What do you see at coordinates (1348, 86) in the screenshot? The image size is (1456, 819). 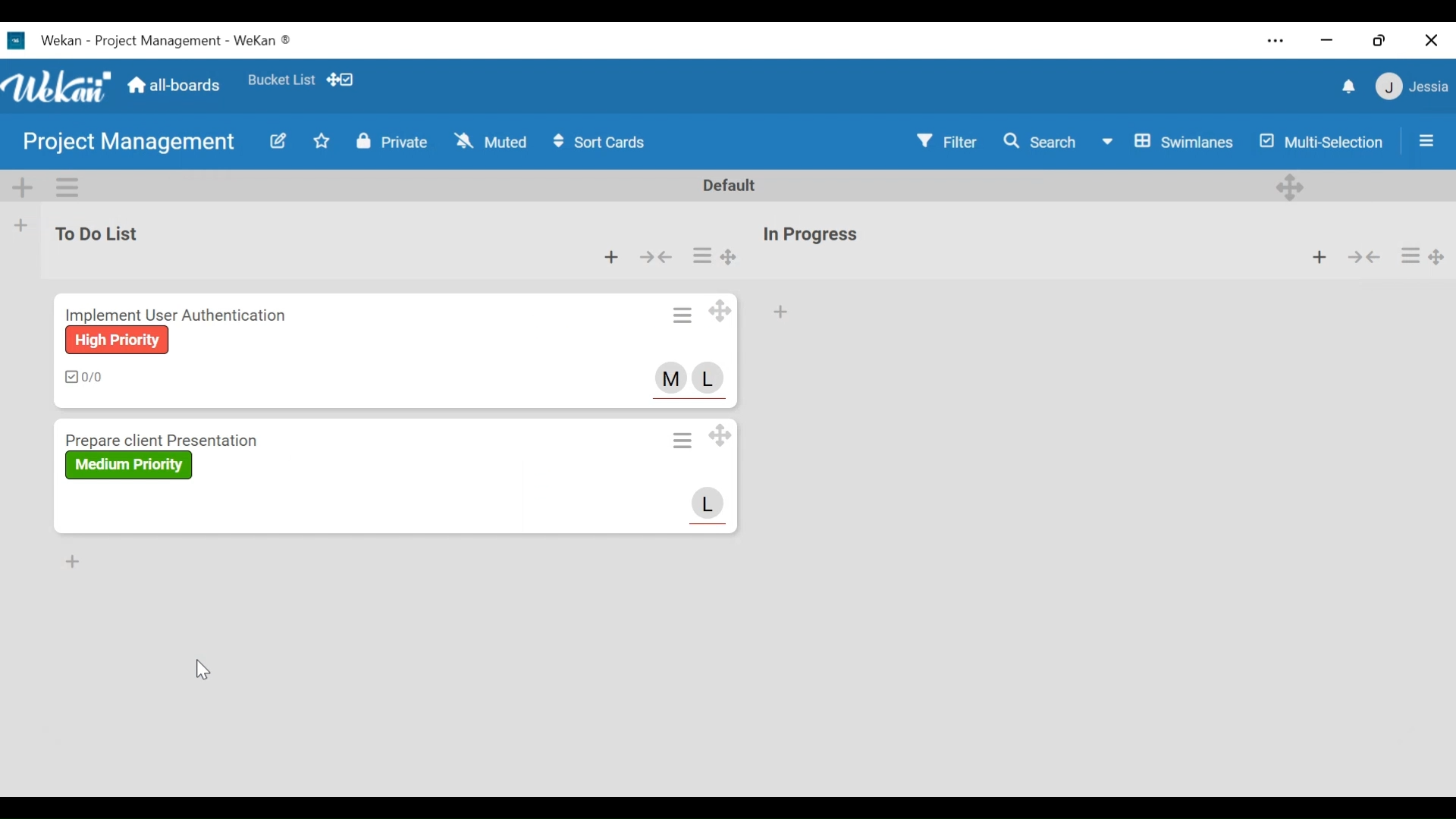 I see `notifications` at bounding box center [1348, 86].